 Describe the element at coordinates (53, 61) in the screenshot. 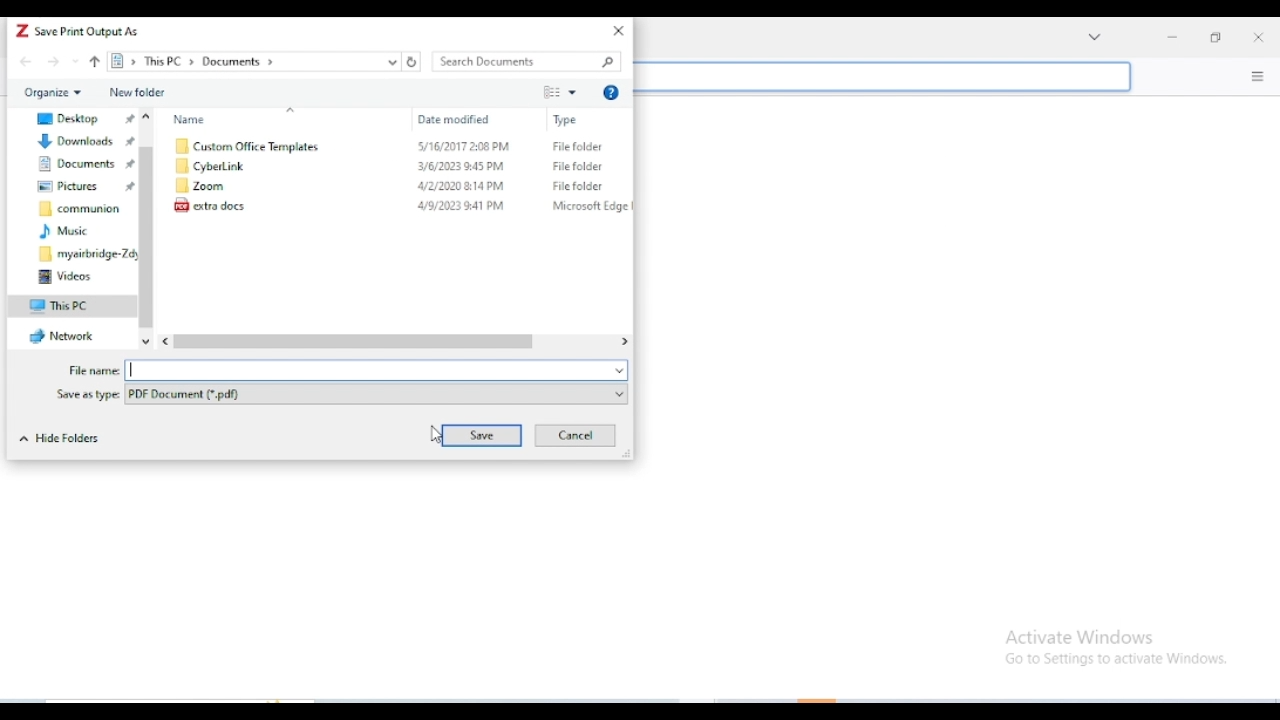

I see `forward` at that location.